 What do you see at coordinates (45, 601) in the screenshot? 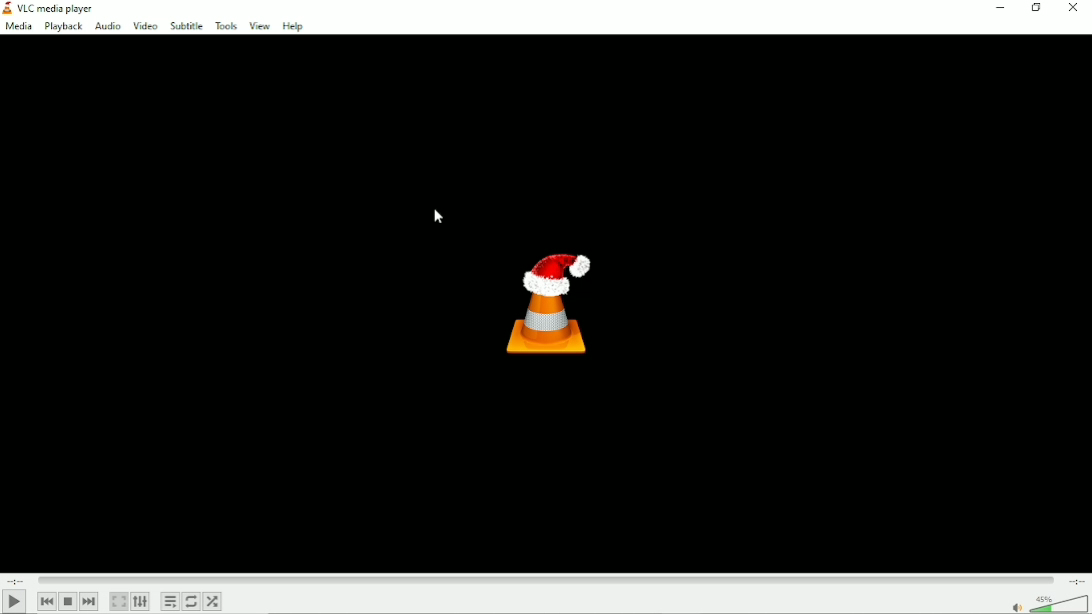
I see `Previous` at bounding box center [45, 601].